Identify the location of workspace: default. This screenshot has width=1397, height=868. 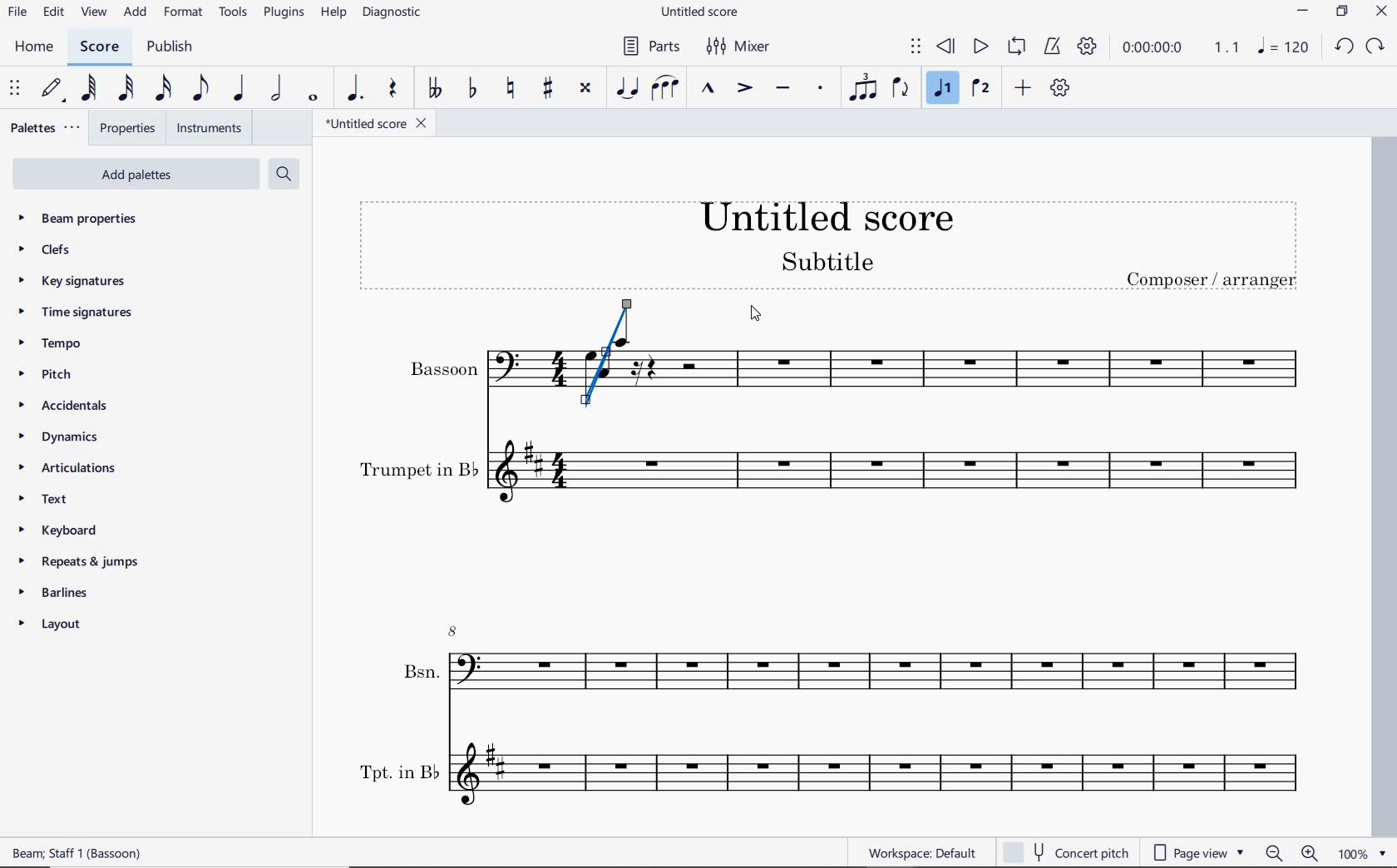
(921, 855).